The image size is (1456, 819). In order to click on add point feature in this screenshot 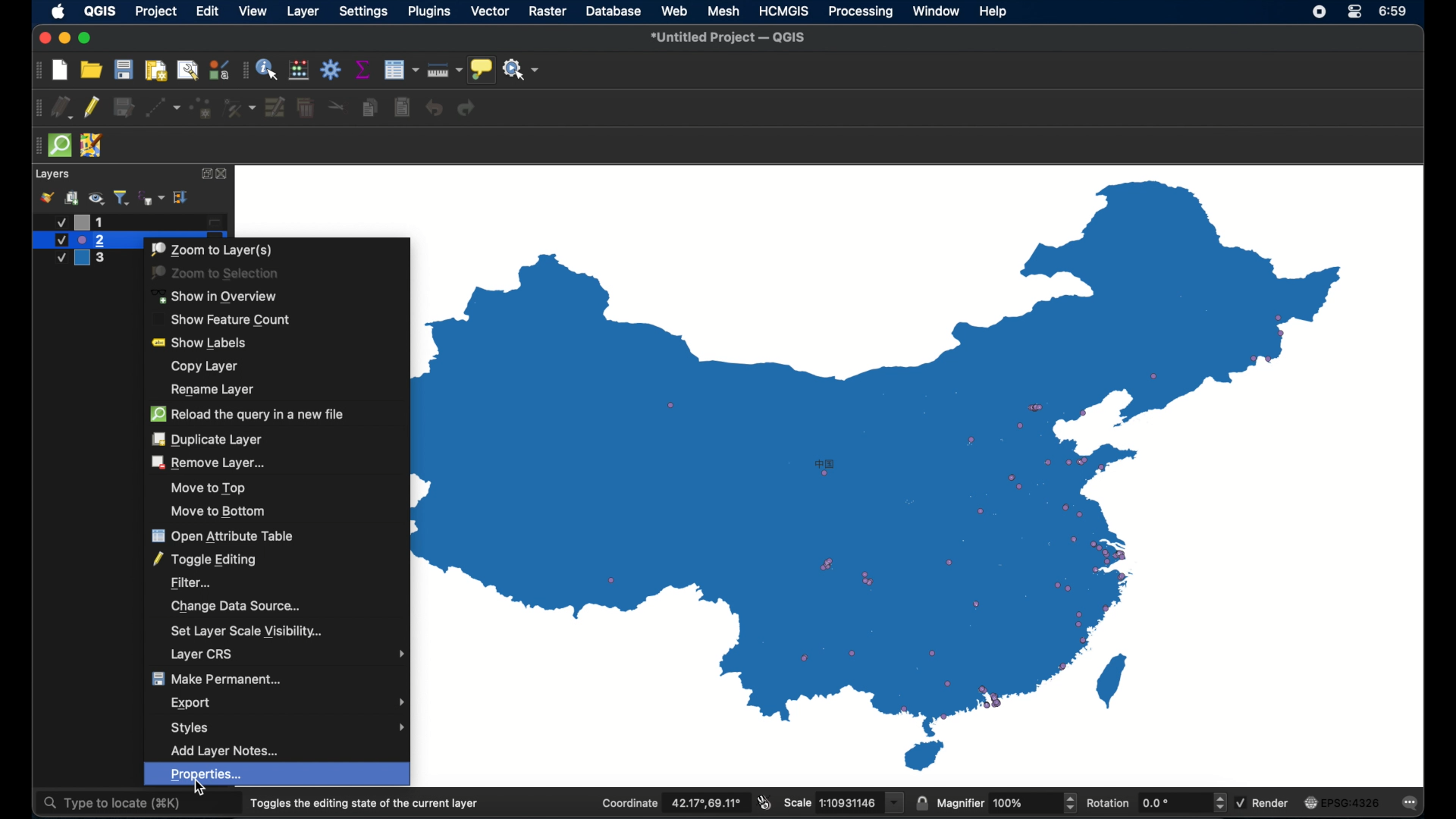, I will do `click(202, 108)`.